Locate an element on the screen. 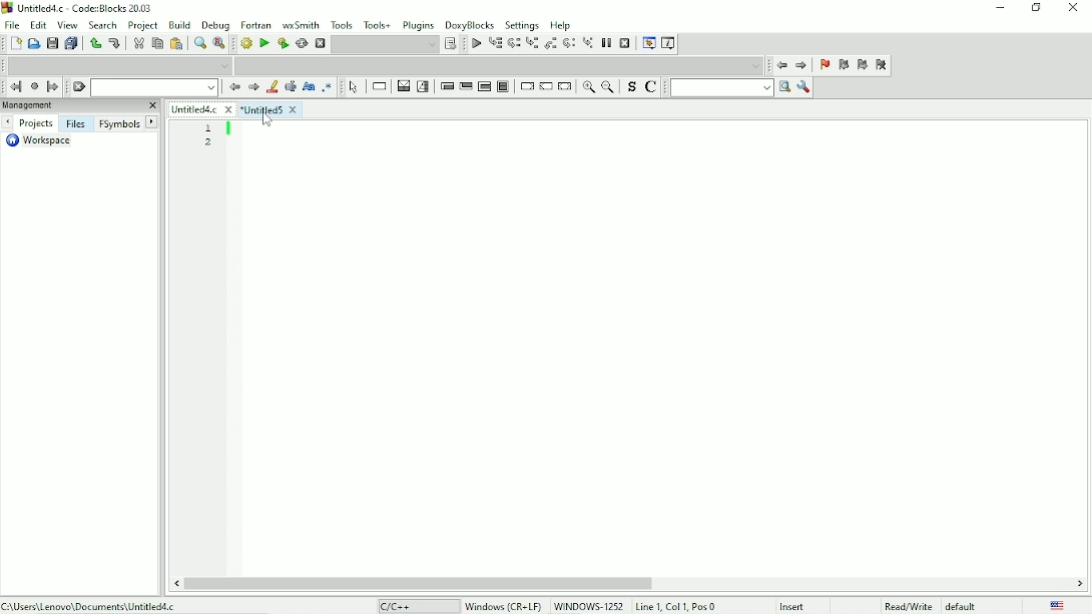  Run is located at coordinates (263, 44).